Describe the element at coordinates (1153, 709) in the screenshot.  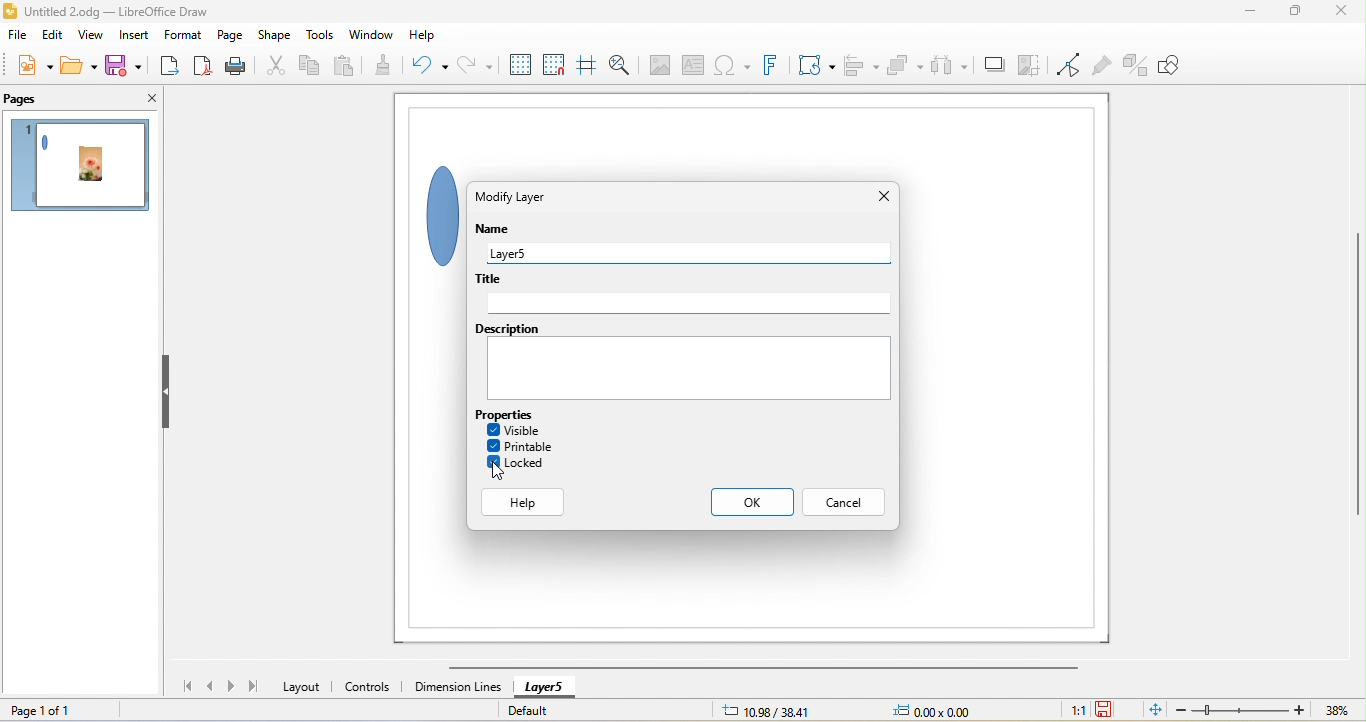
I see `fit page to current window` at that location.